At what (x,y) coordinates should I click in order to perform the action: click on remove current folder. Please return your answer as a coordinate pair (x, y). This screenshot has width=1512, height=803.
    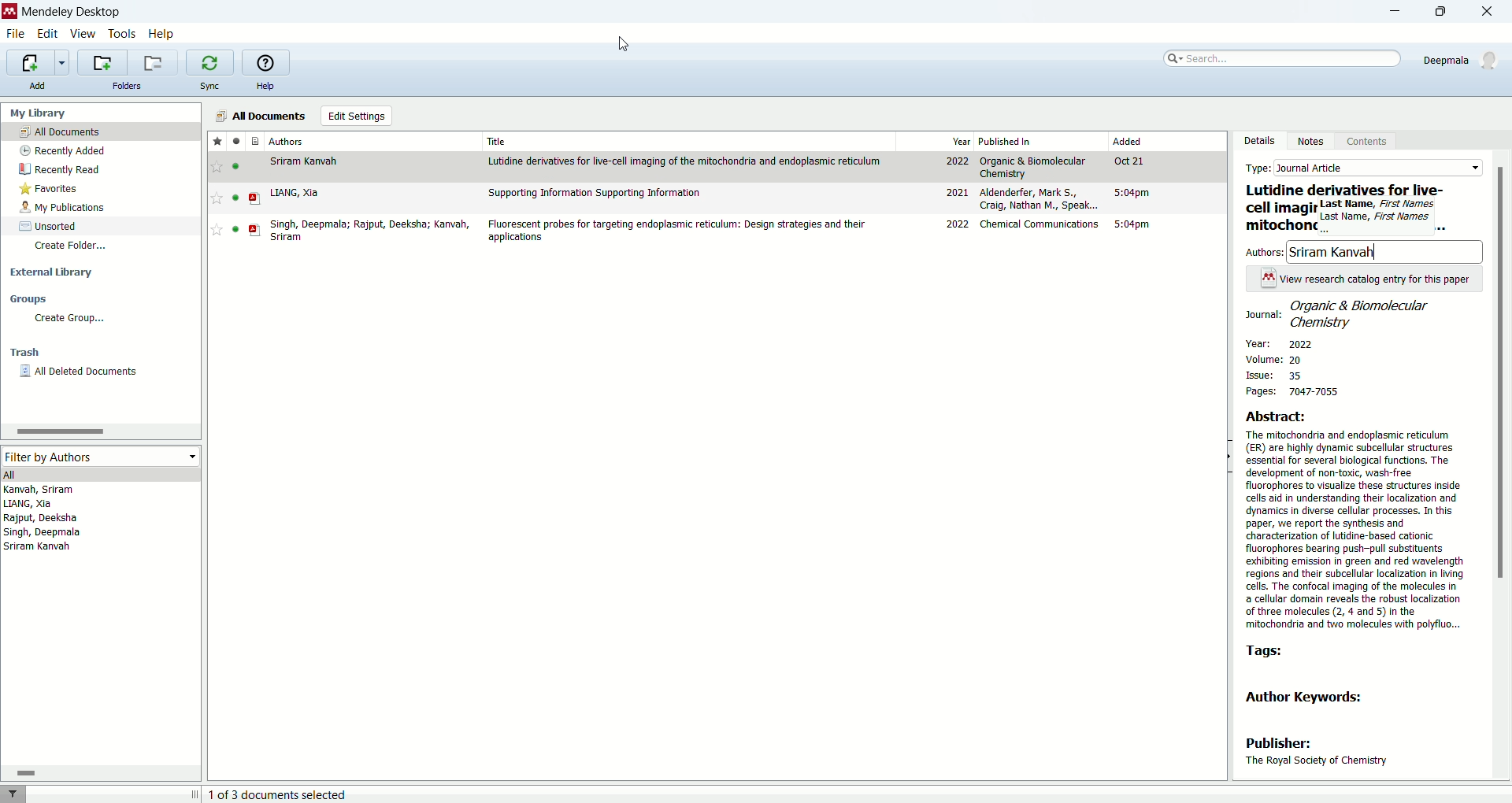
    Looking at the image, I should click on (154, 62).